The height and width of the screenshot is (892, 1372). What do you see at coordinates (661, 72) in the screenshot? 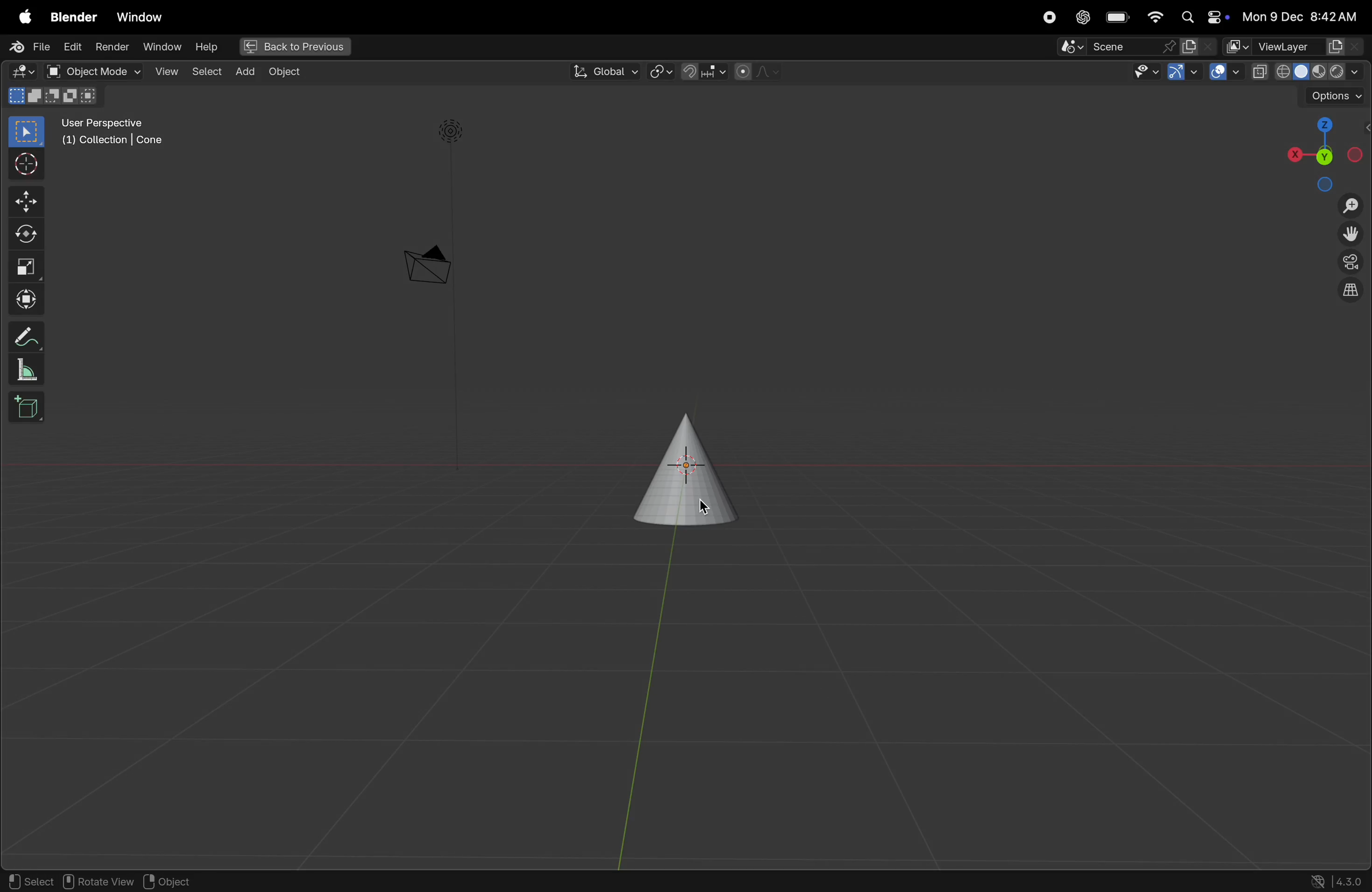
I see `transform pviot` at bounding box center [661, 72].